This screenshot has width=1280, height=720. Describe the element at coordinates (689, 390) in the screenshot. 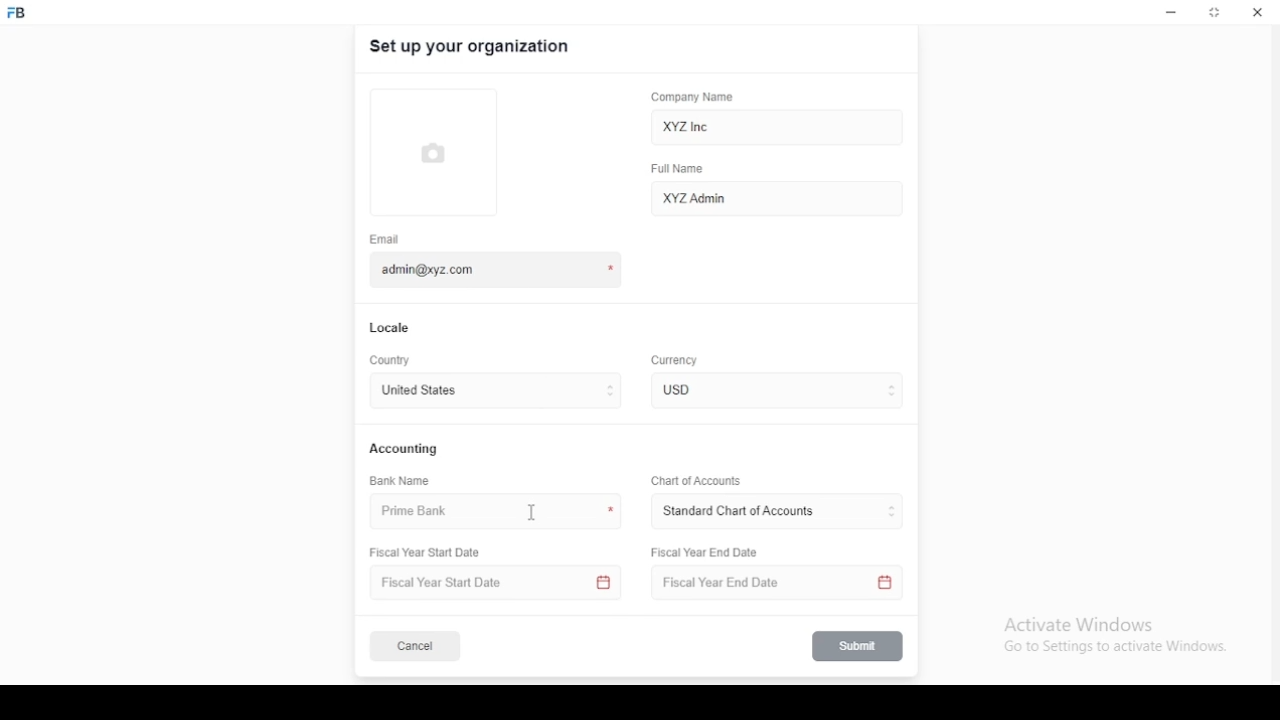

I see `currency` at that location.